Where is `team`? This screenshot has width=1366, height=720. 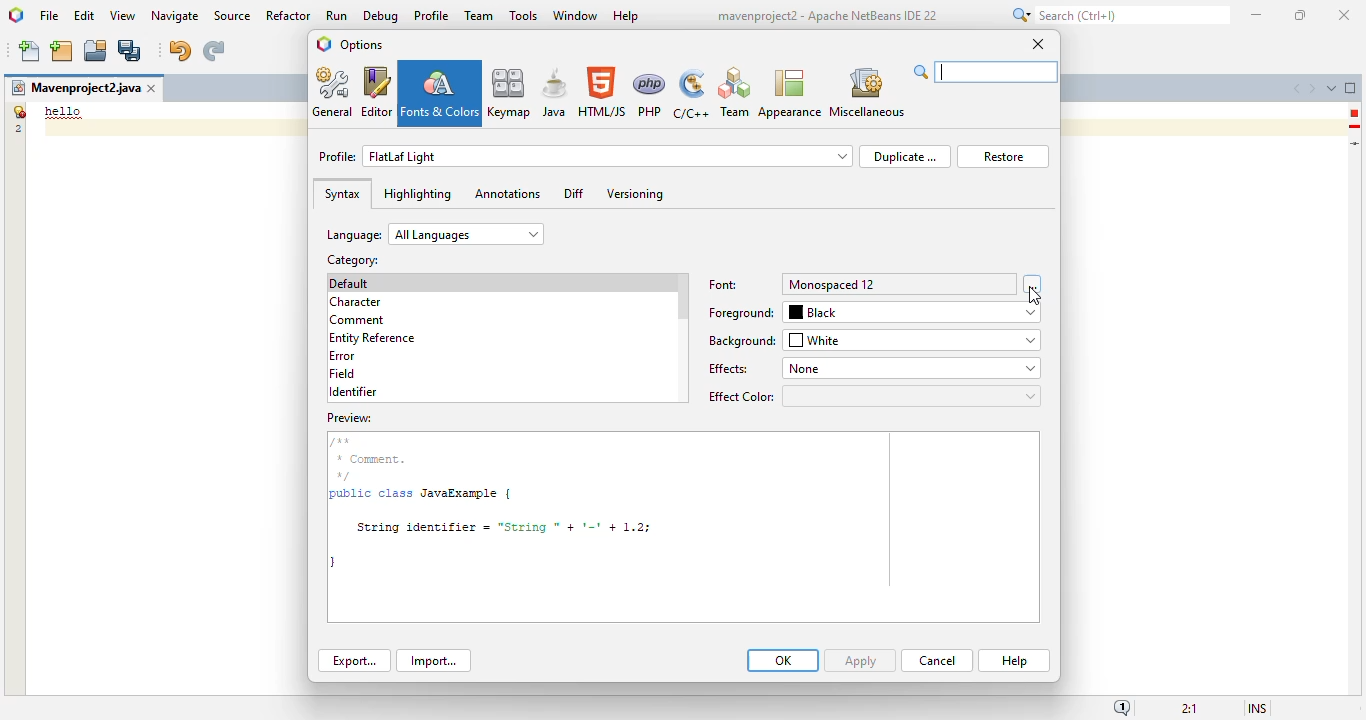 team is located at coordinates (479, 15).